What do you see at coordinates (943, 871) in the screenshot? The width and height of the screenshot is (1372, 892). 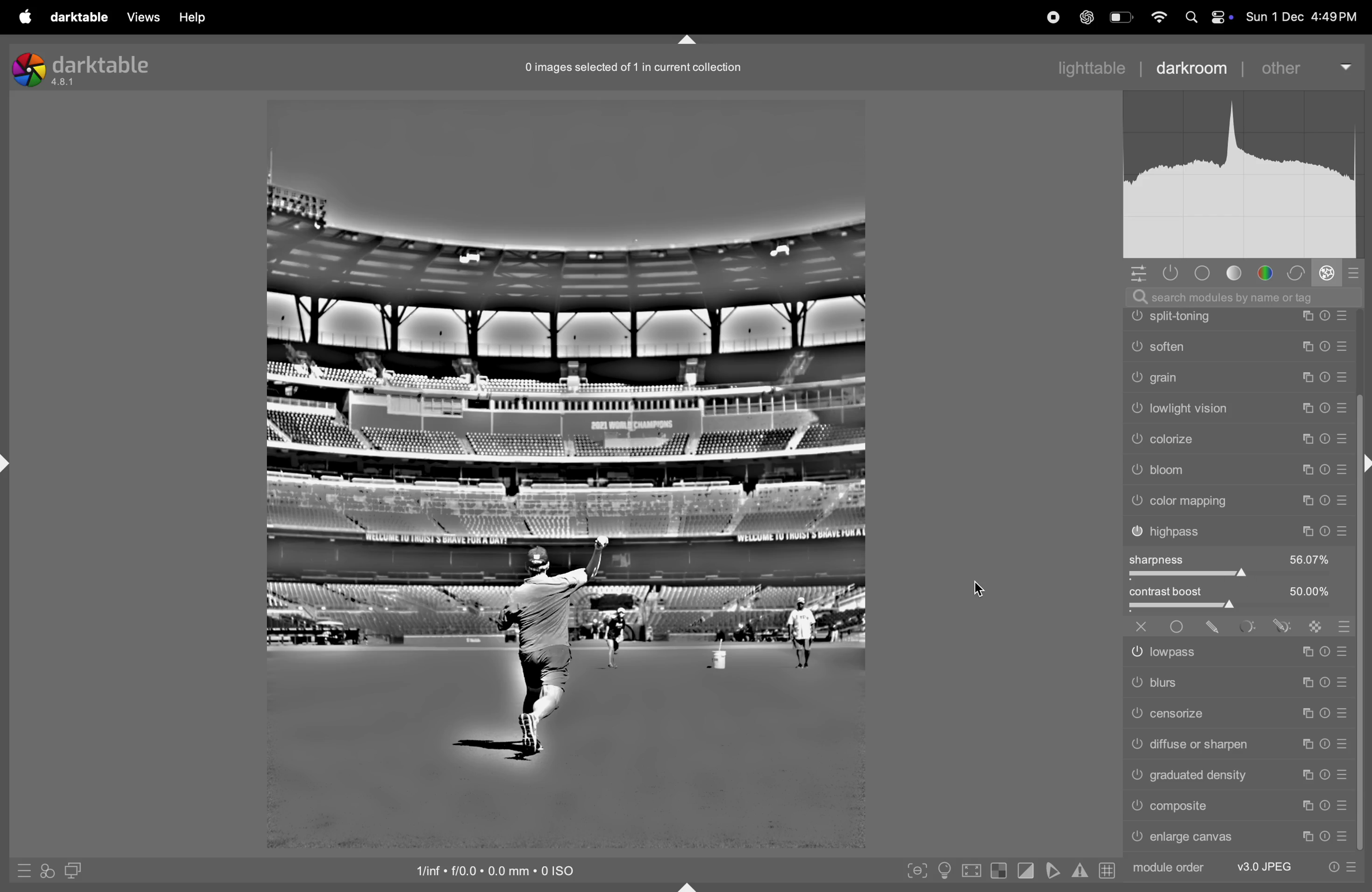 I see `toggle iso` at bounding box center [943, 871].